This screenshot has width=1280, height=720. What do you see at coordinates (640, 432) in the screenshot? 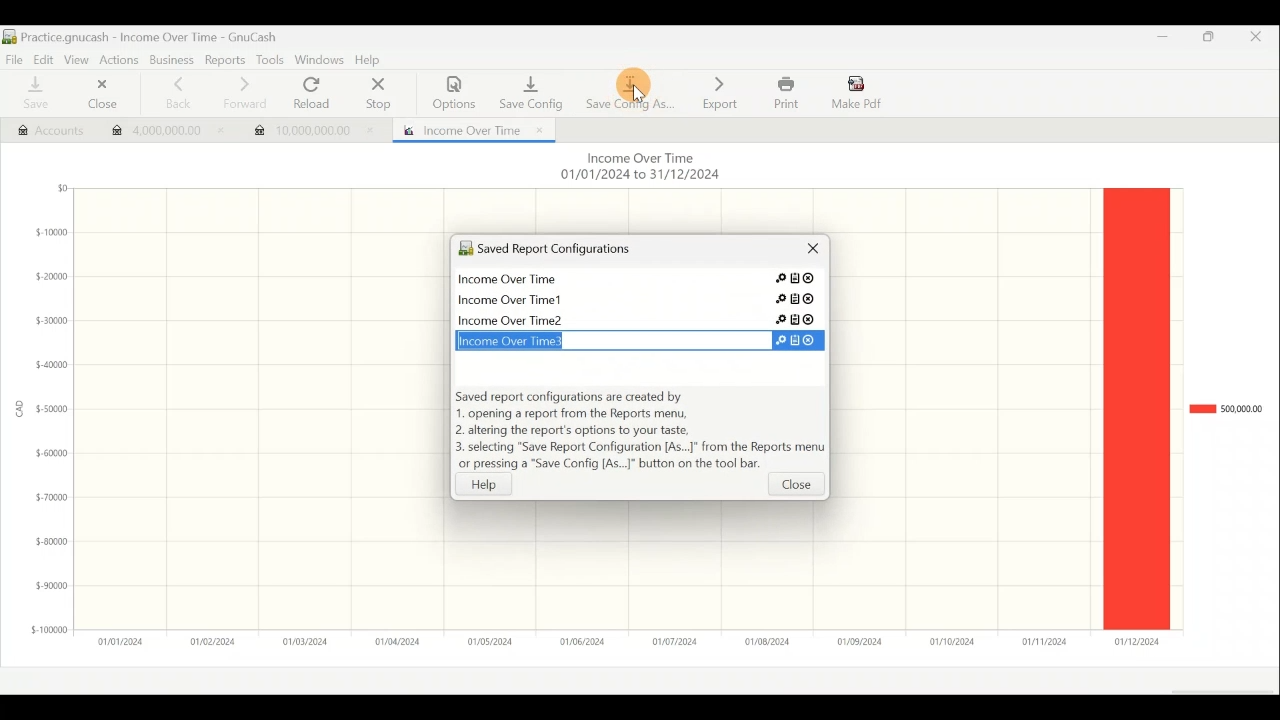
I see `Ways saved report configurations are created` at bounding box center [640, 432].